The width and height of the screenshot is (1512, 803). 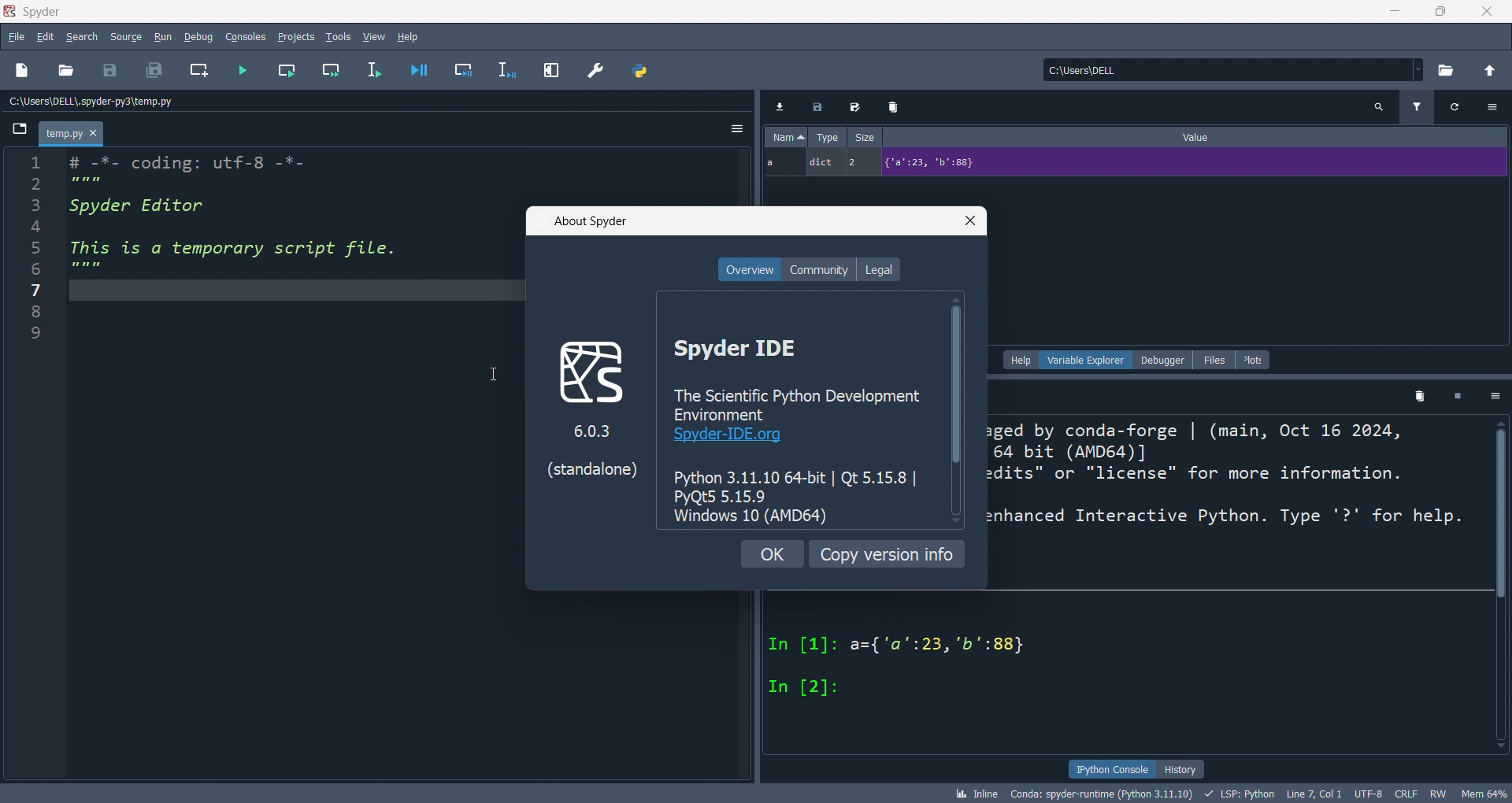 I want to click on file, so click(x=16, y=36).